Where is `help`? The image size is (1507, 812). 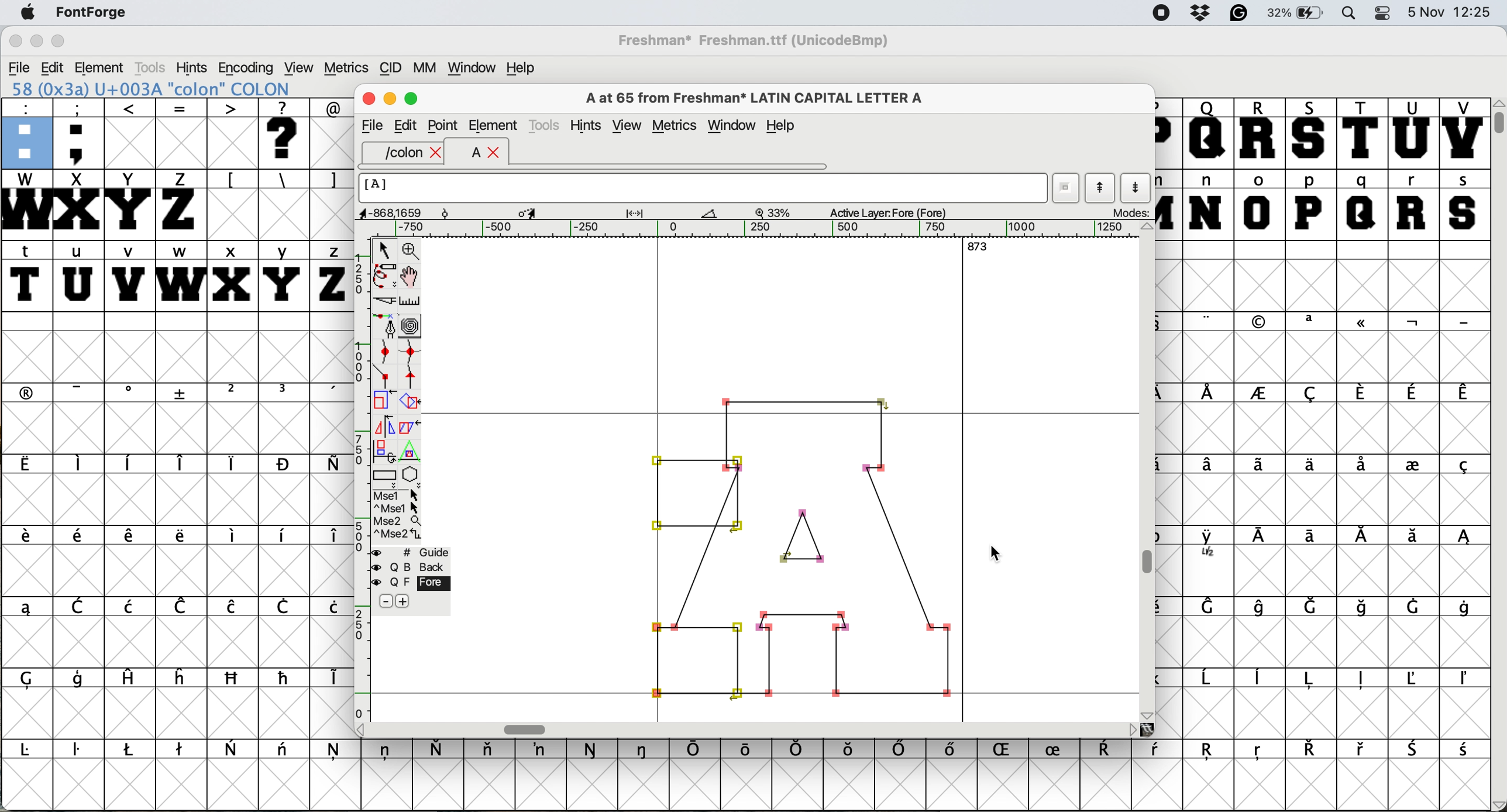
help is located at coordinates (783, 127).